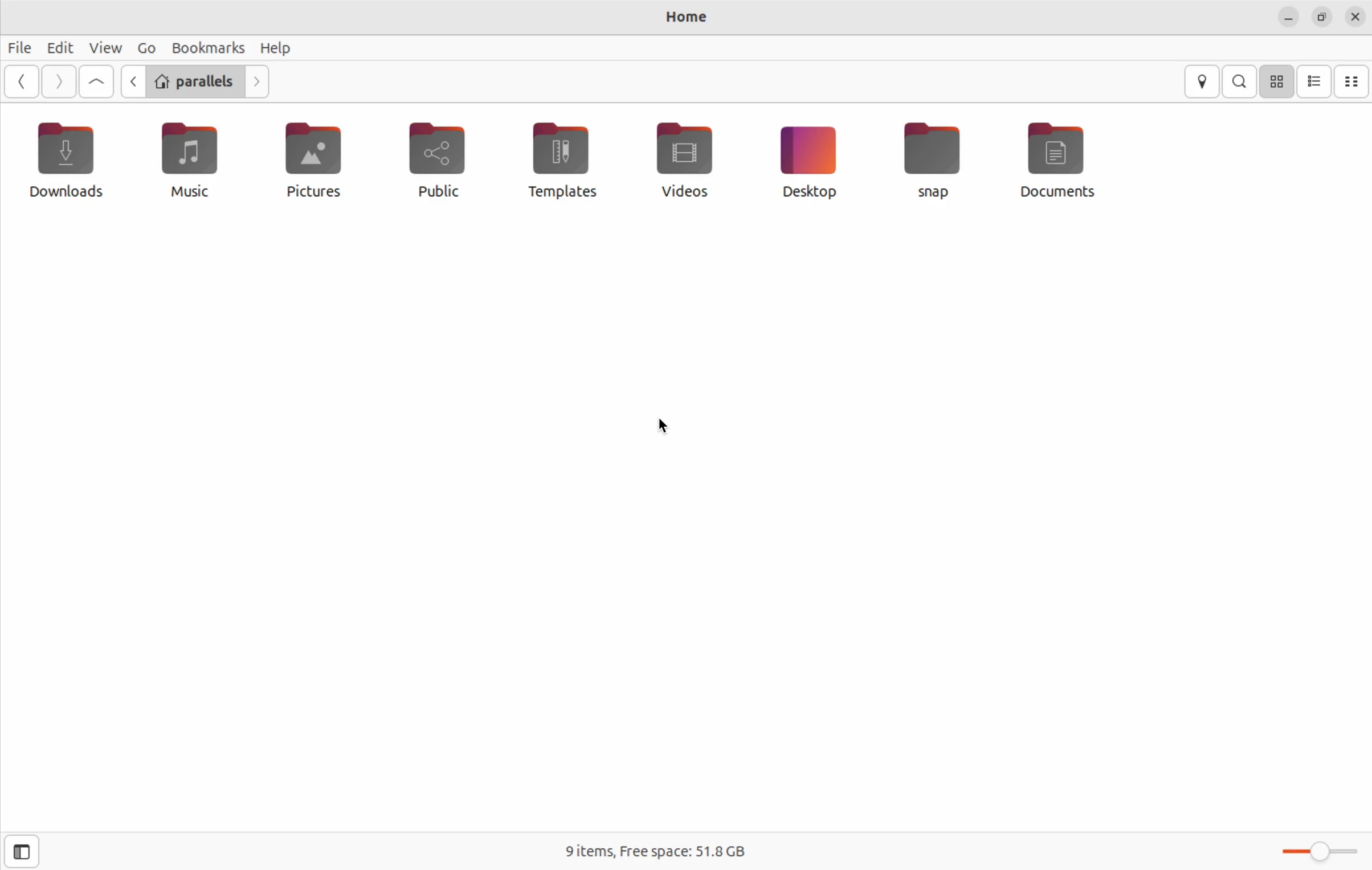 This screenshot has width=1372, height=870. What do you see at coordinates (278, 47) in the screenshot?
I see `help` at bounding box center [278, 47].